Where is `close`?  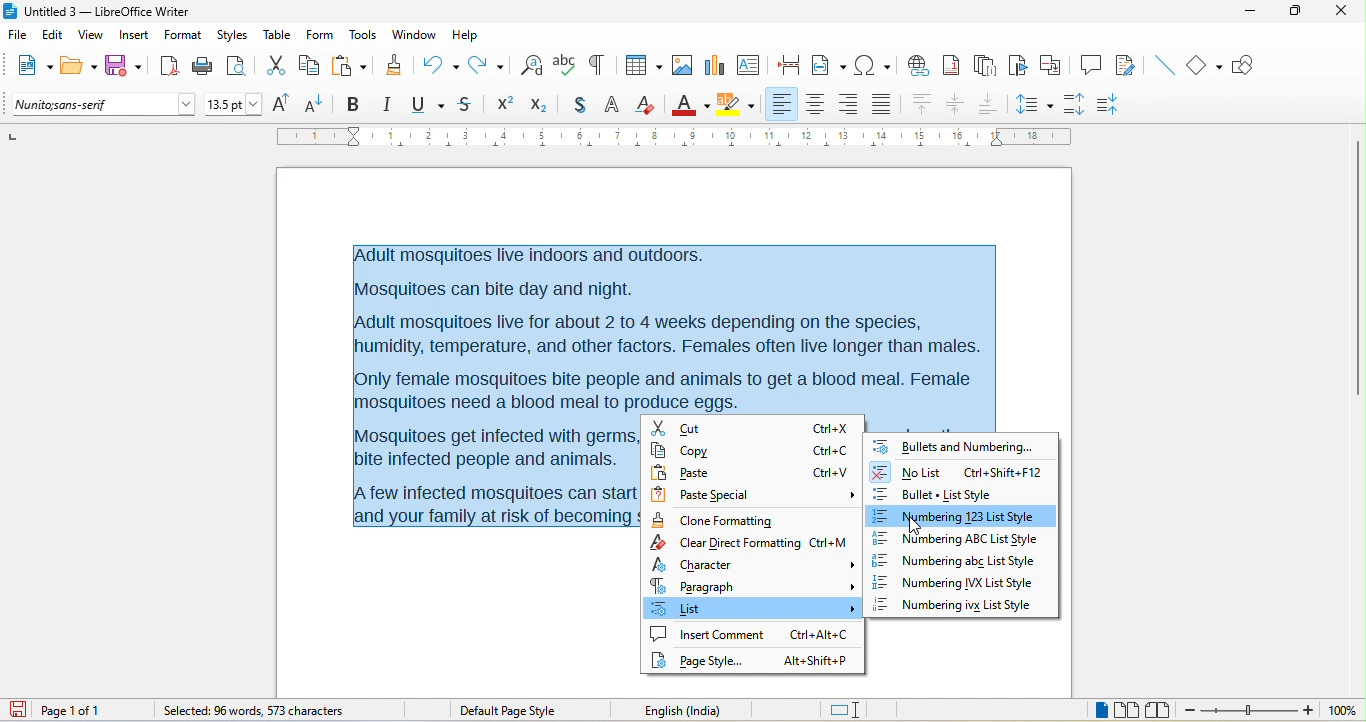
close is located at coordinates (1342, 15).